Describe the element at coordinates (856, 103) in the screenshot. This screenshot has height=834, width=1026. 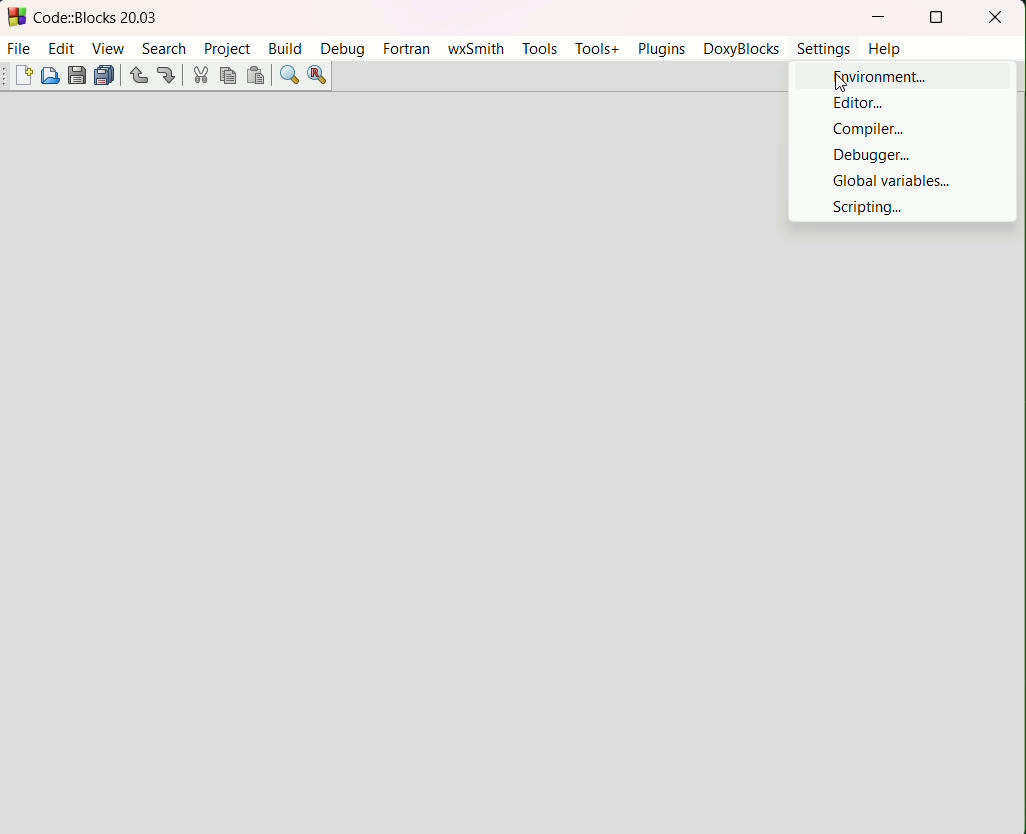
I see `editor` at that location.